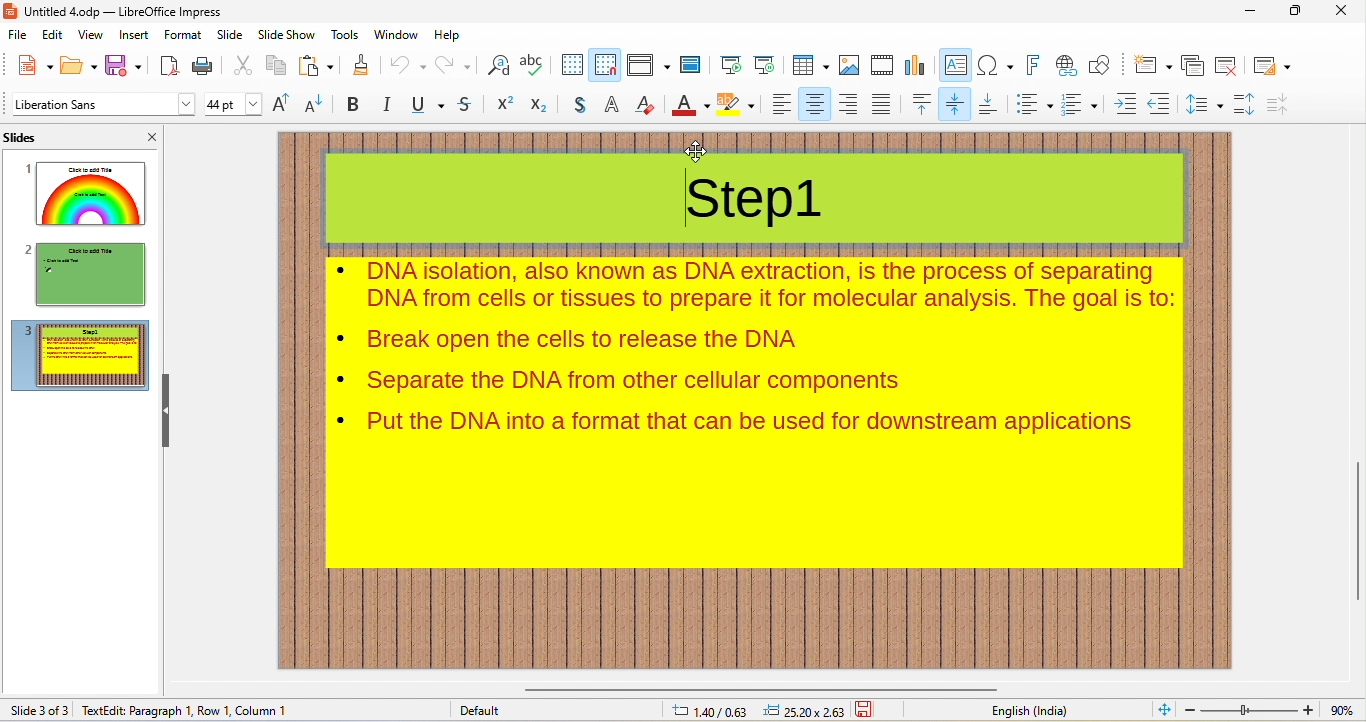 The image size is (1366, 722). What do you see at coordinates (1351, 523) in the screenshot?
I see `vertical scroll` at bounding box center [1351, 523].